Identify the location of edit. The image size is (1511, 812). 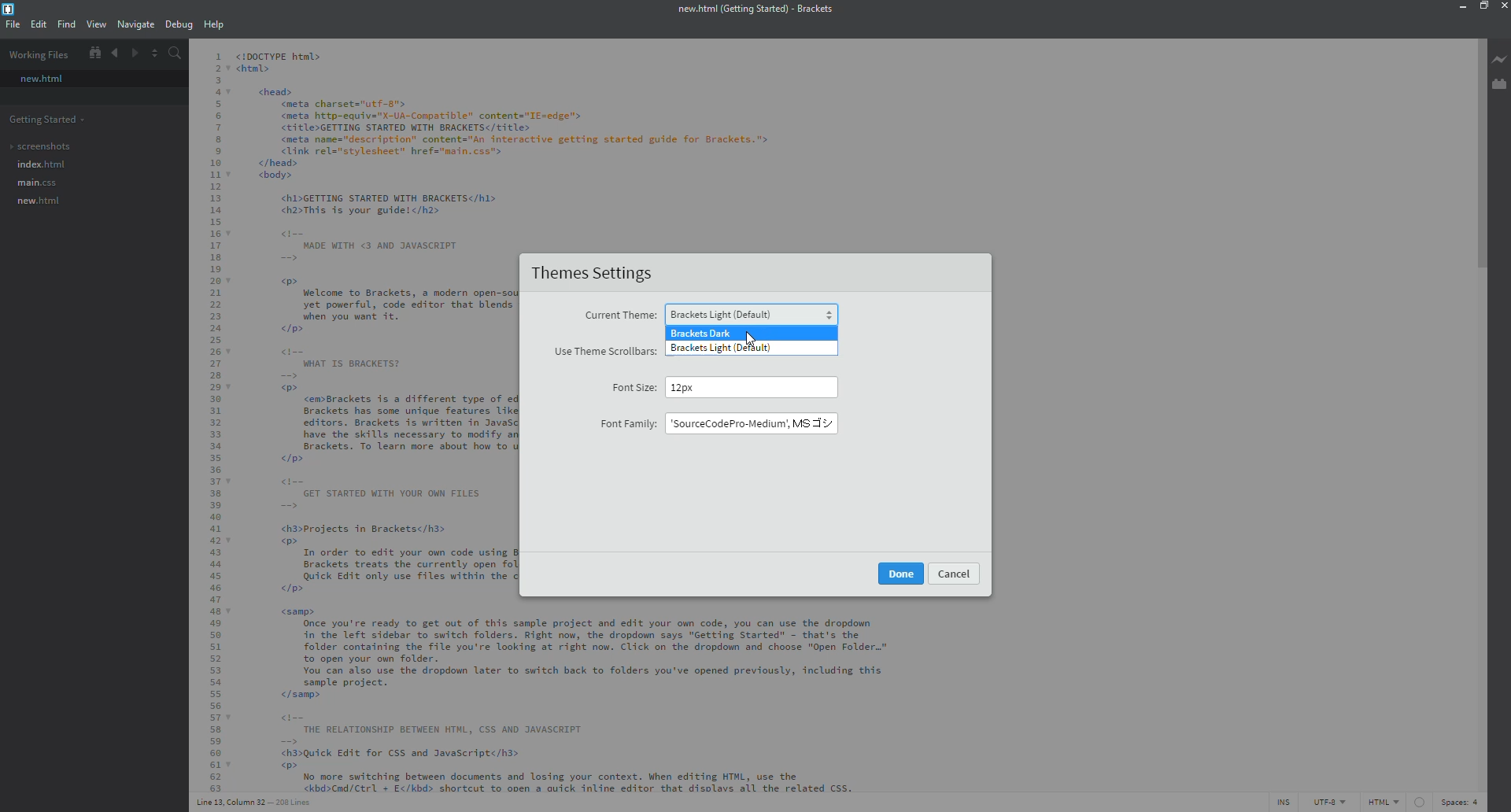
(38, 24).